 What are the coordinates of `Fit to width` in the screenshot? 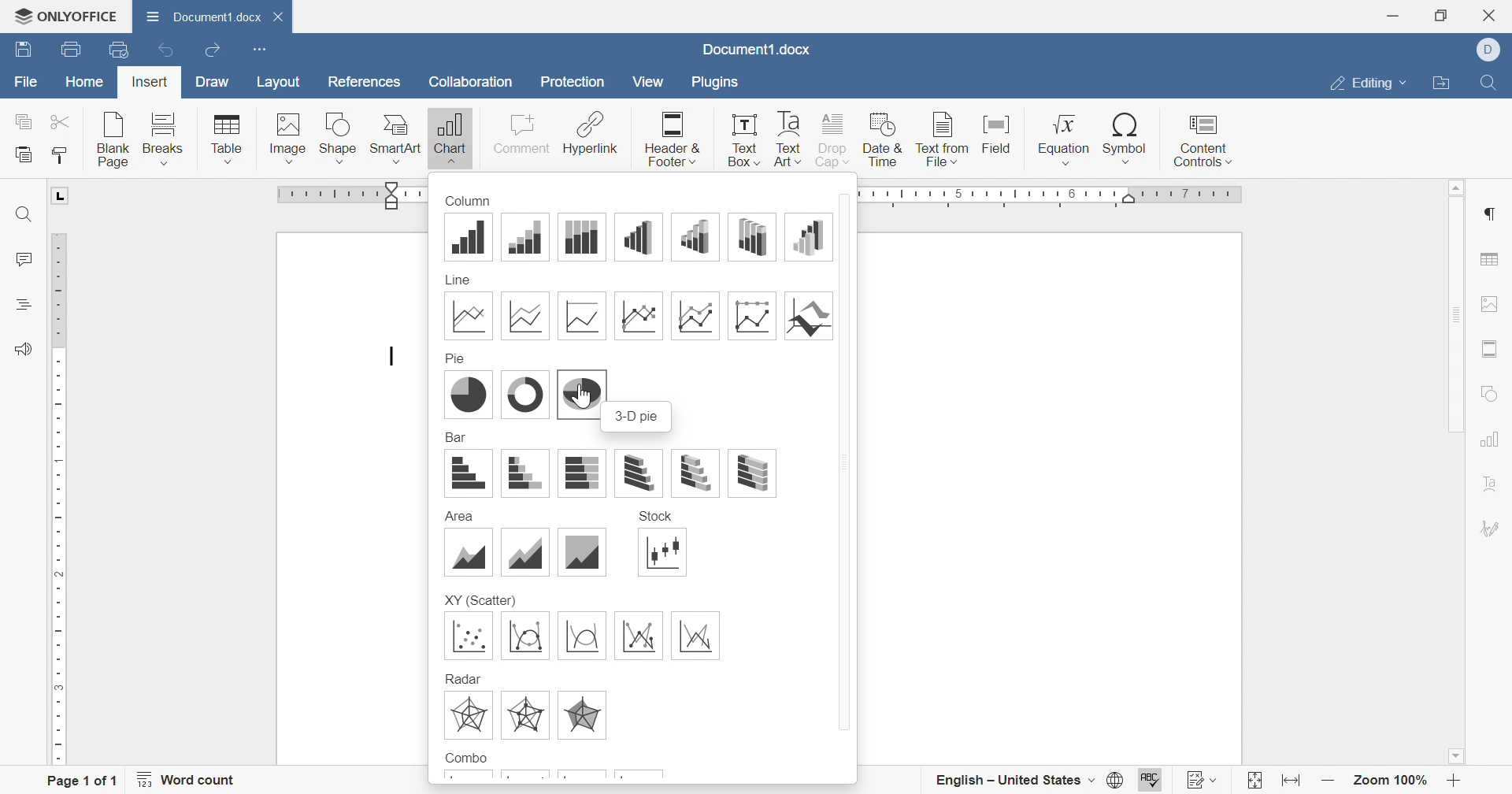 It's located at (1289, 778).